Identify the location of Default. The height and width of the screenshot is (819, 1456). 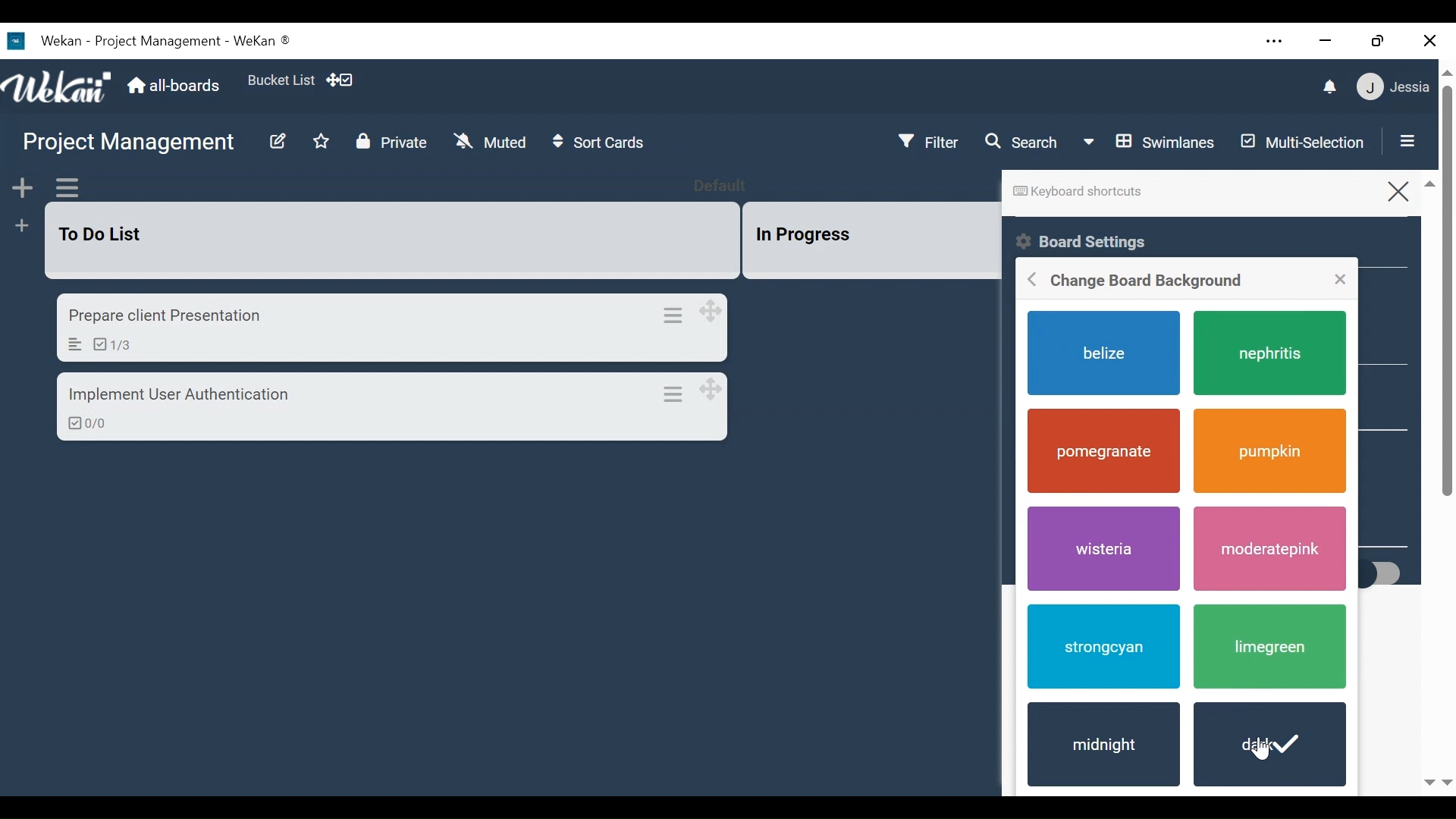
(730, 187).